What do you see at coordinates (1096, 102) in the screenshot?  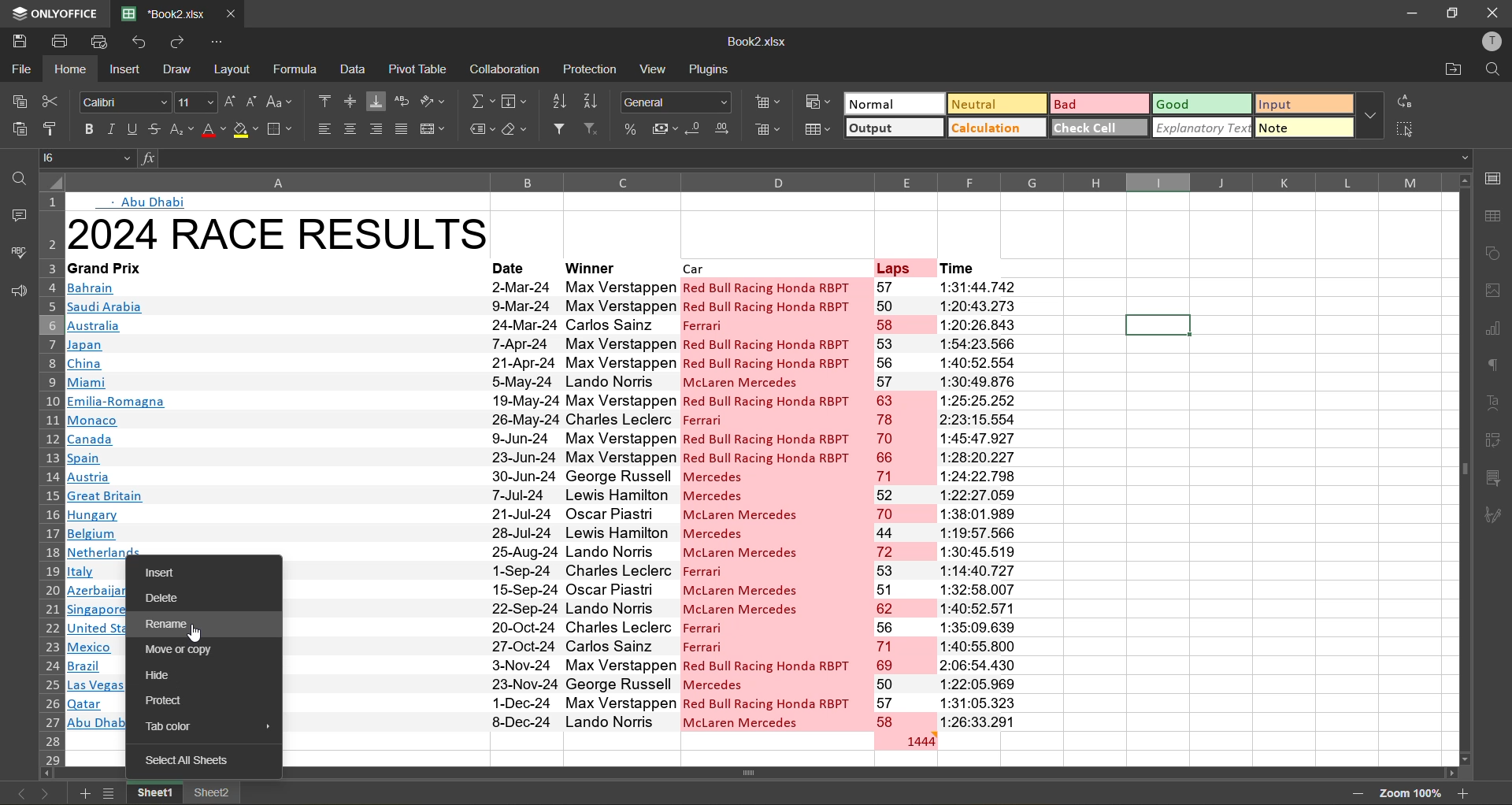 I see `bad` at bounding box center [1096, 102].